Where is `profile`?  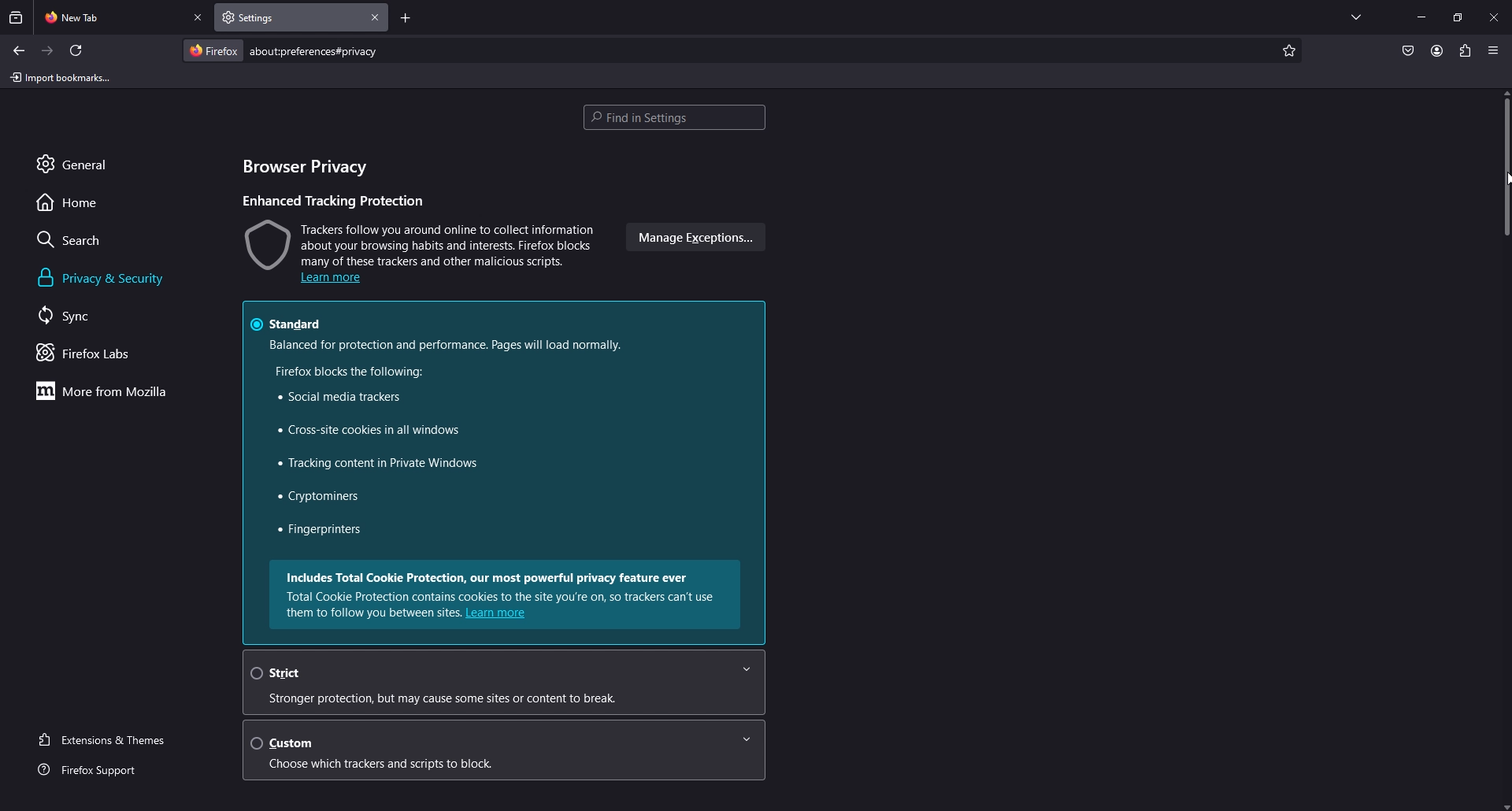 profile is located at coordinates (1436, 50).